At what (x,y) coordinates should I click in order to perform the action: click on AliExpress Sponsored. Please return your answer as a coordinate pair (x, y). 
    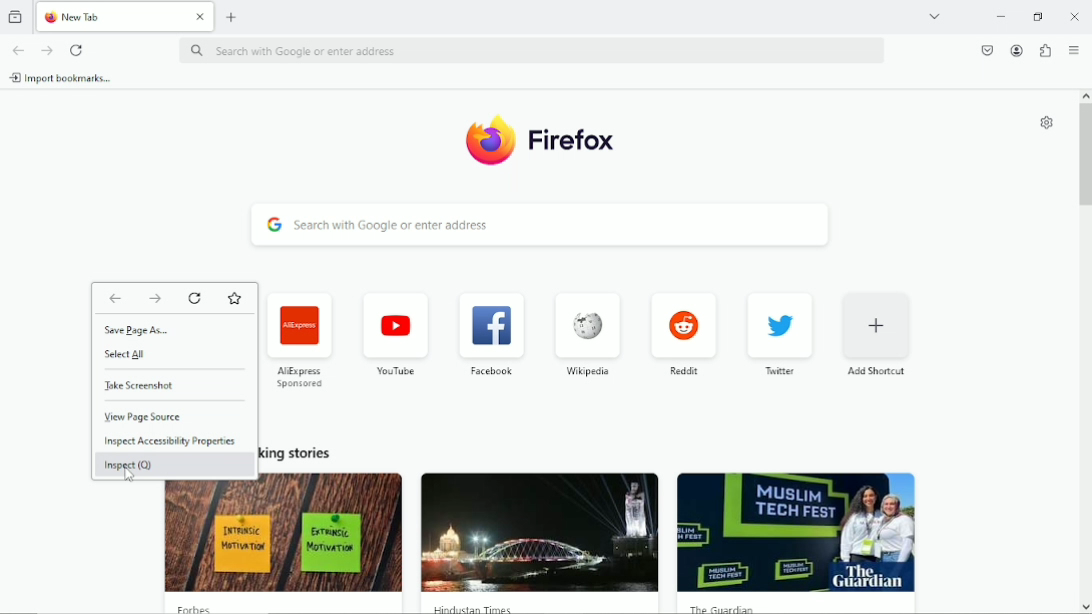
    Looking at the image, I should click on (301, 339).